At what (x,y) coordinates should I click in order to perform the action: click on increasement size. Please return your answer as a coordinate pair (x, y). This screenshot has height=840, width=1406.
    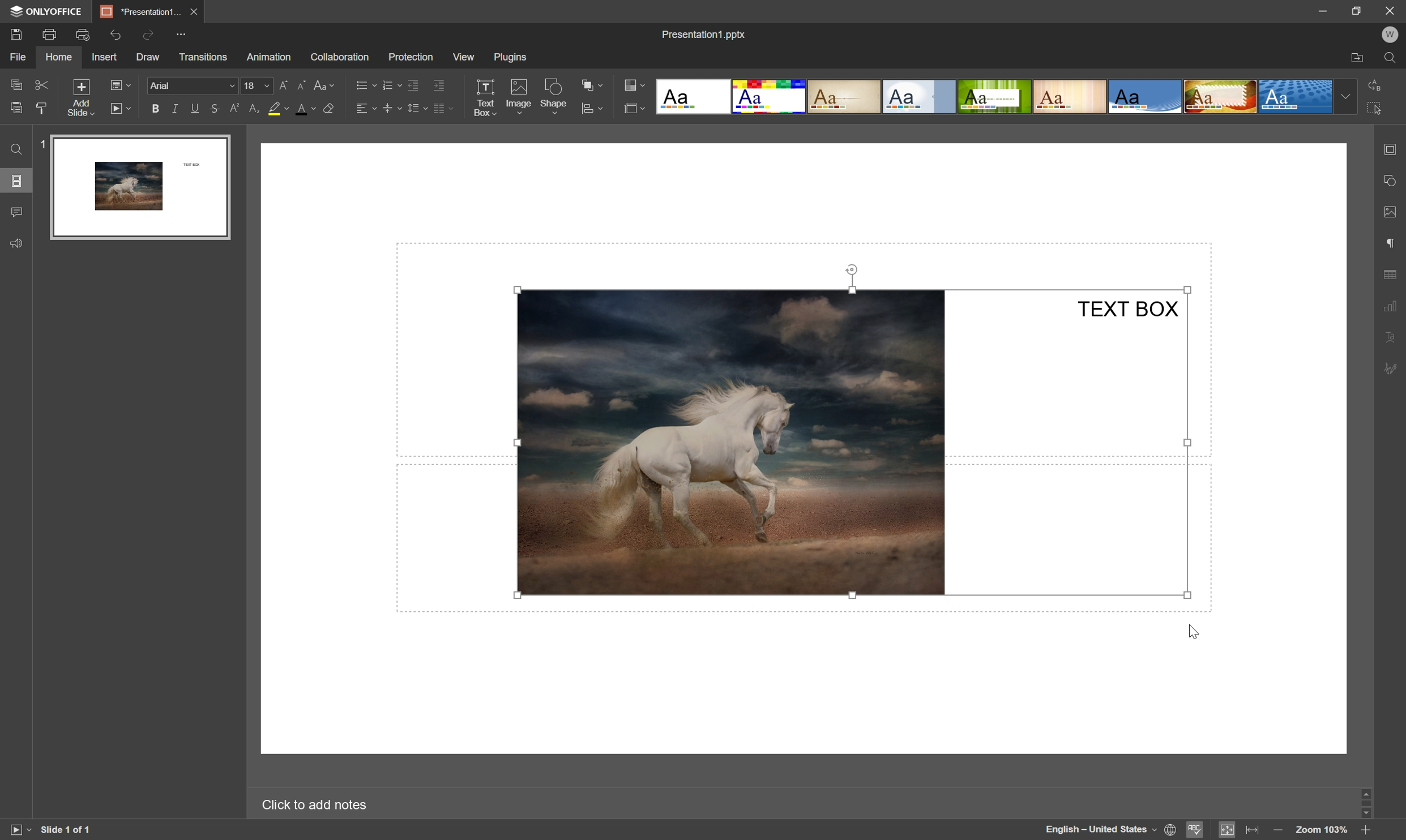
    Looking at the image, I should click on (286, 85).